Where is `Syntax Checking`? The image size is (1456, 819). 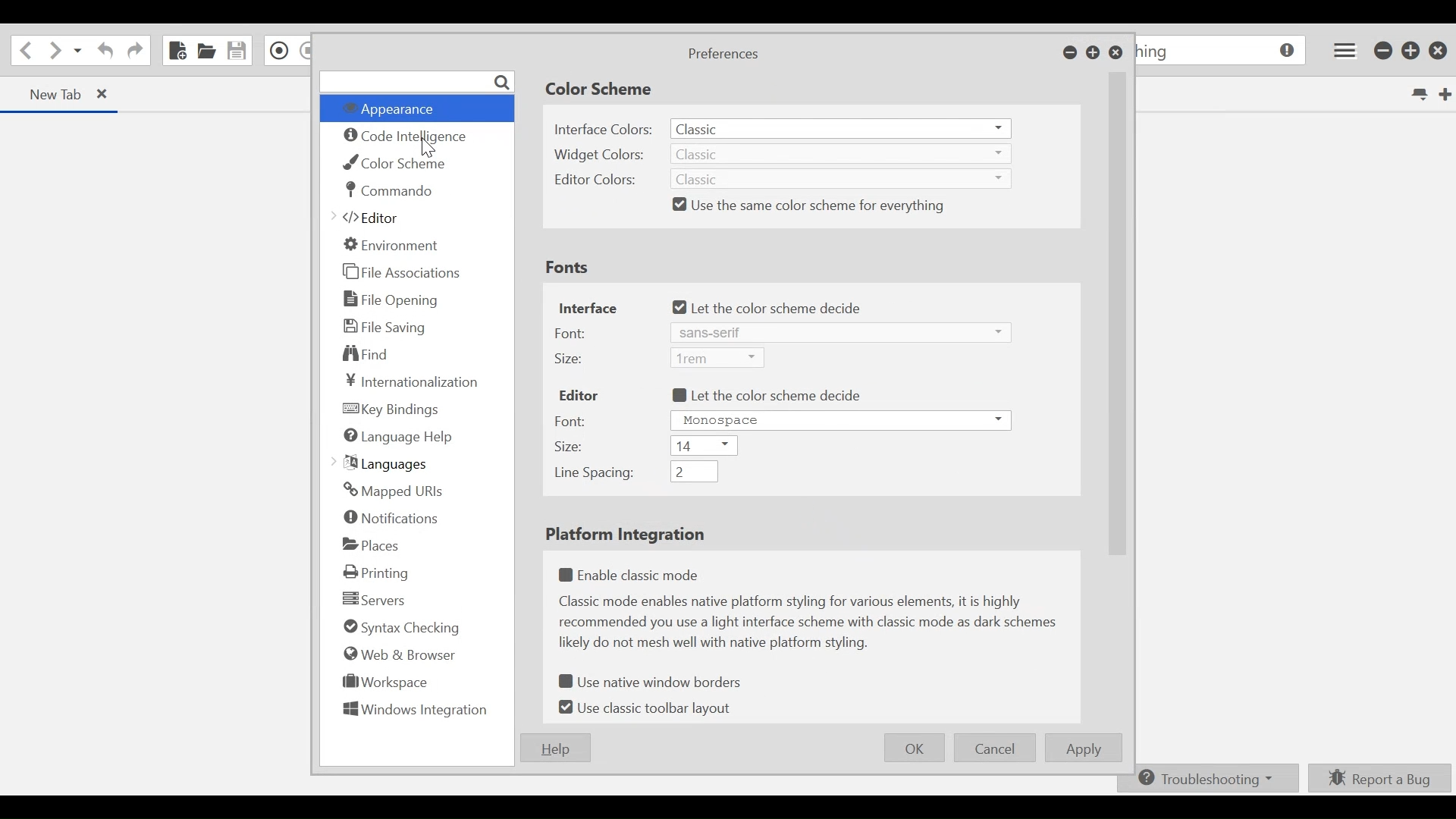
Syntax Checking is located at coordinates (397, 629).